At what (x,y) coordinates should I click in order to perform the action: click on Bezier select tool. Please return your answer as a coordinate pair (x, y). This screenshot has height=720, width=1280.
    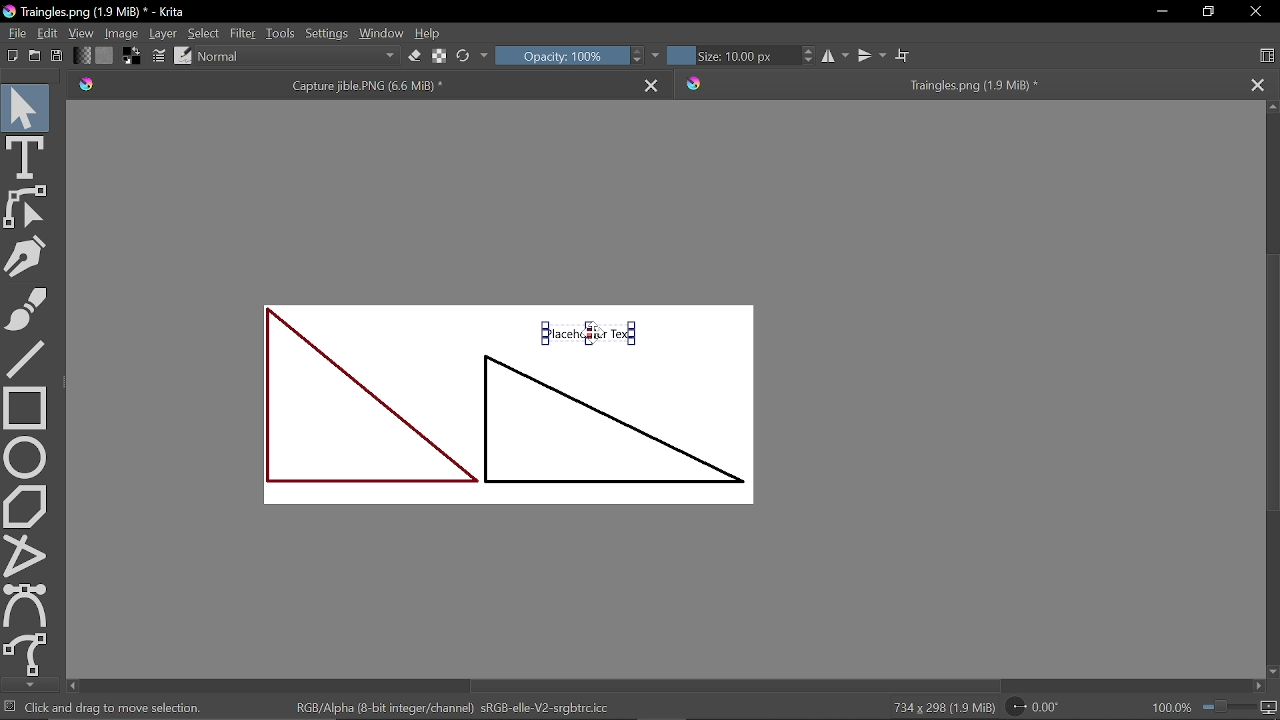
    Looking at the image, I should click on (27, 605).